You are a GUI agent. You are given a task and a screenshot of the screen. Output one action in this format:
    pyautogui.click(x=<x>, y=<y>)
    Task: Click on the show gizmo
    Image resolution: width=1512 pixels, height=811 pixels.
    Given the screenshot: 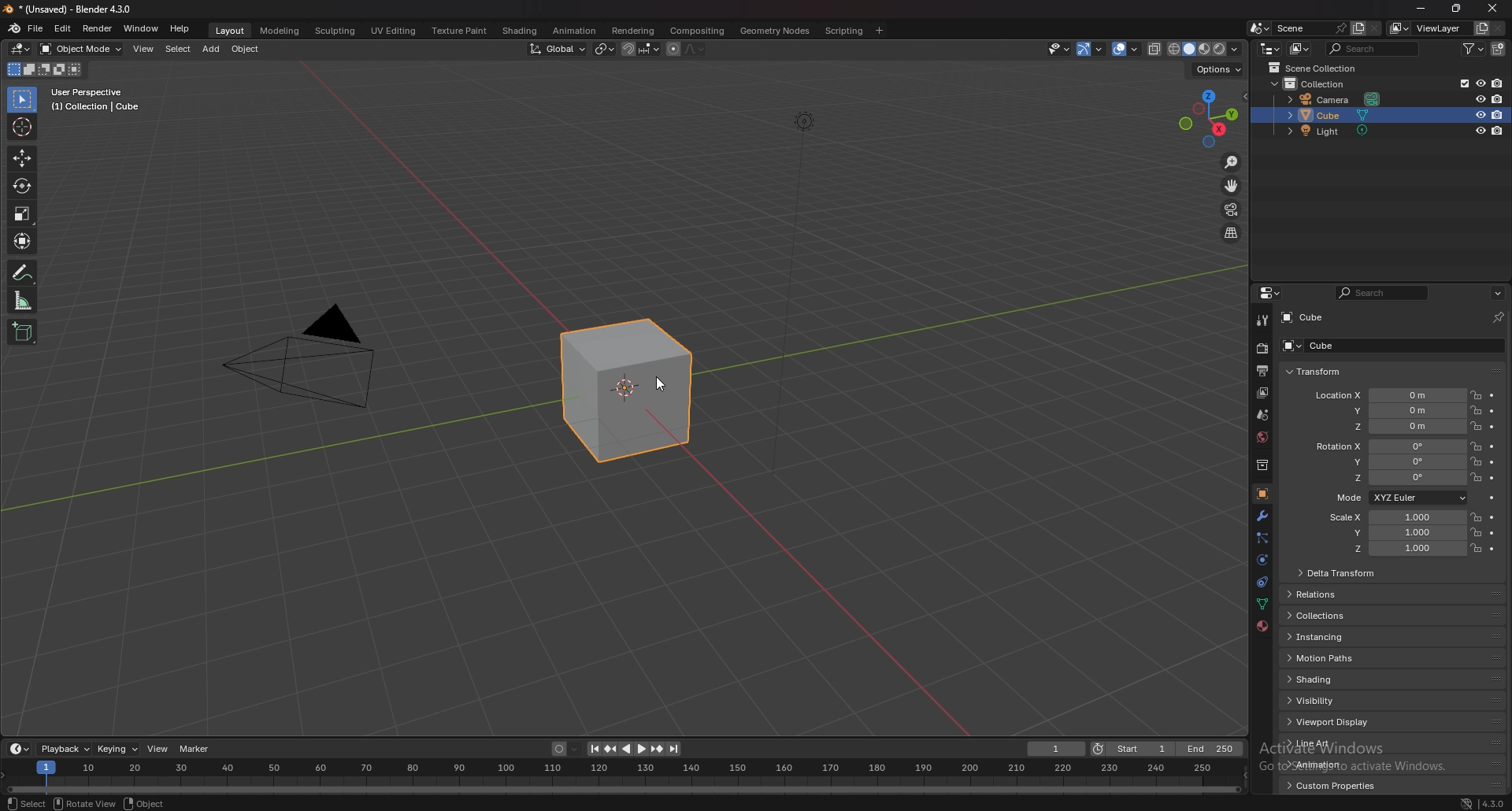 What is the action you would take?
    pyautogui.click(x=1092, y=49)
    